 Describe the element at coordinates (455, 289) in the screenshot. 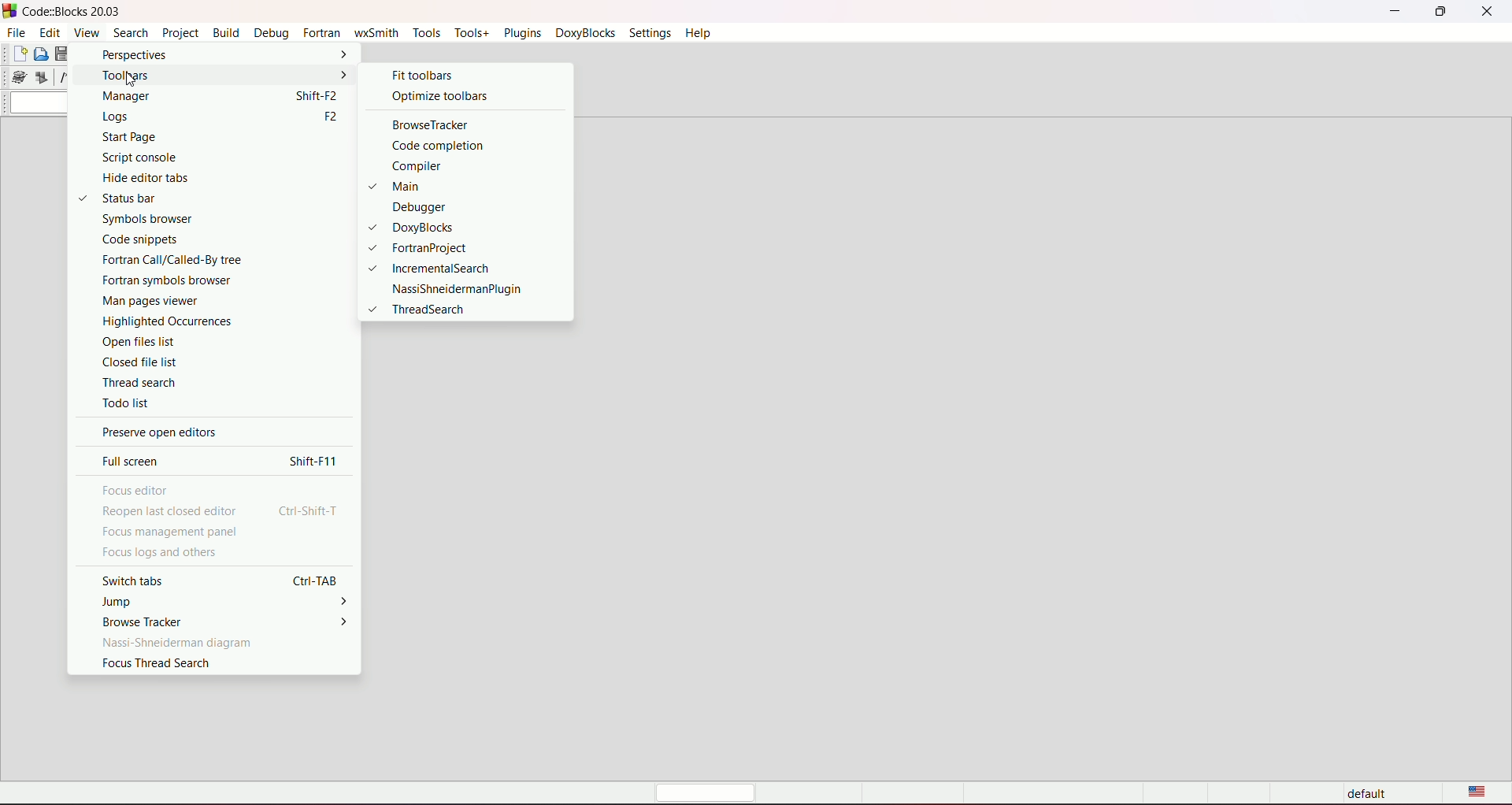

I see `nassi plugin` at that location.